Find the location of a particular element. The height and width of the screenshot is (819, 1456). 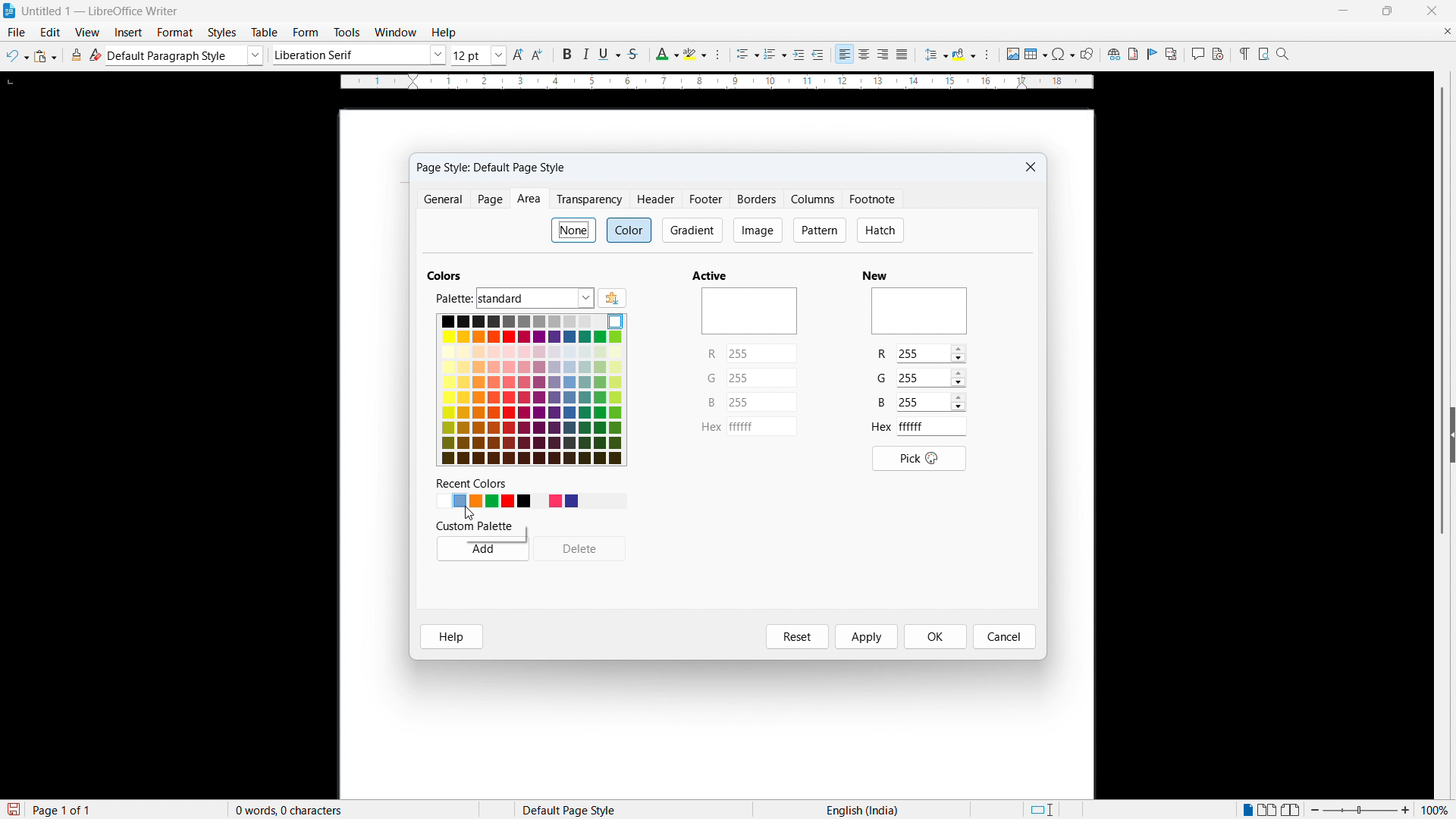

Window  is located at coordinates (394, 33).